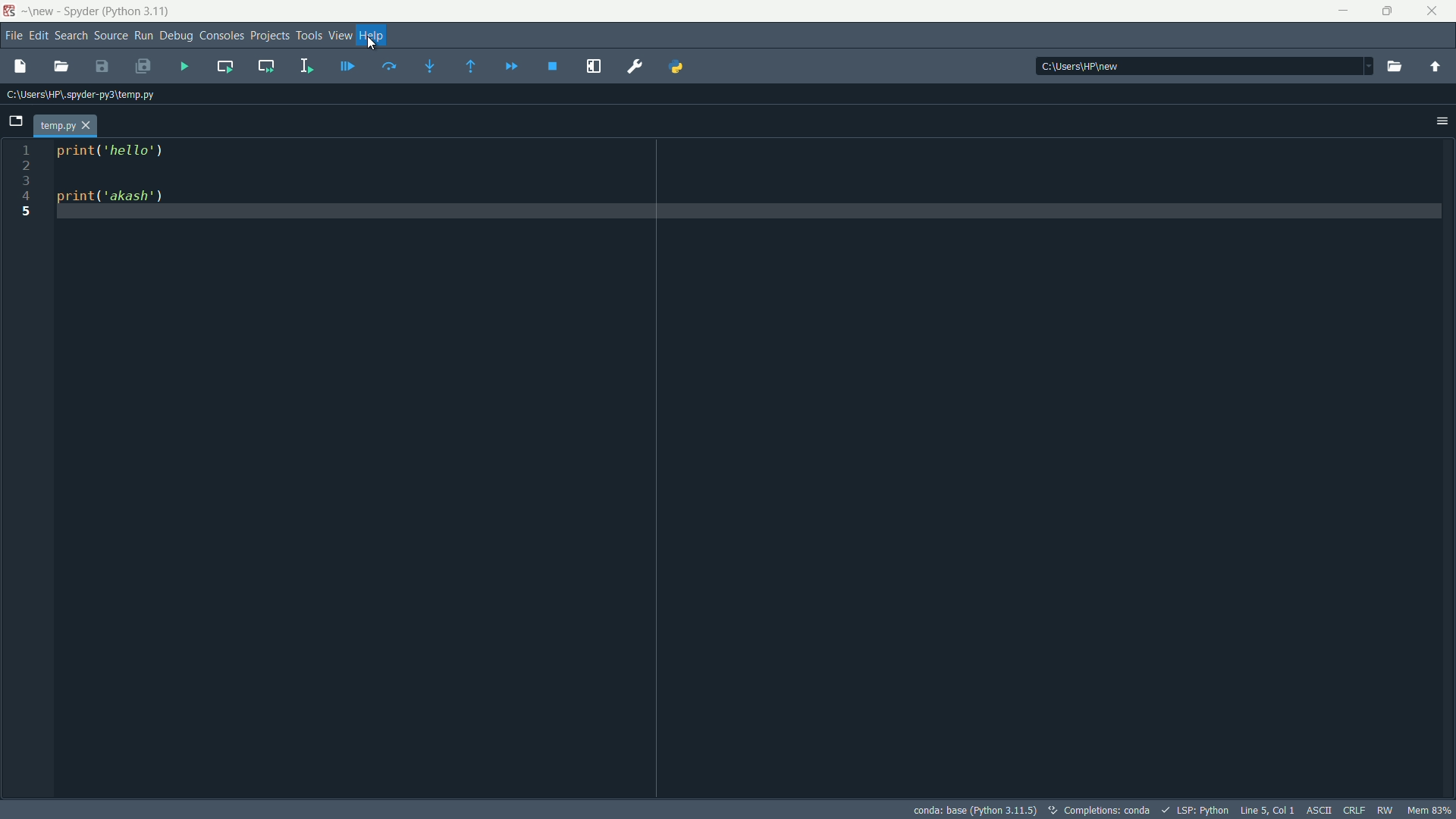 Image resolution: width=1456 pixels, height=819 pixels. What do you see at coordinates (176, 36) in the screenshot?
I see `debug menu` at bounding box center [176, 36].